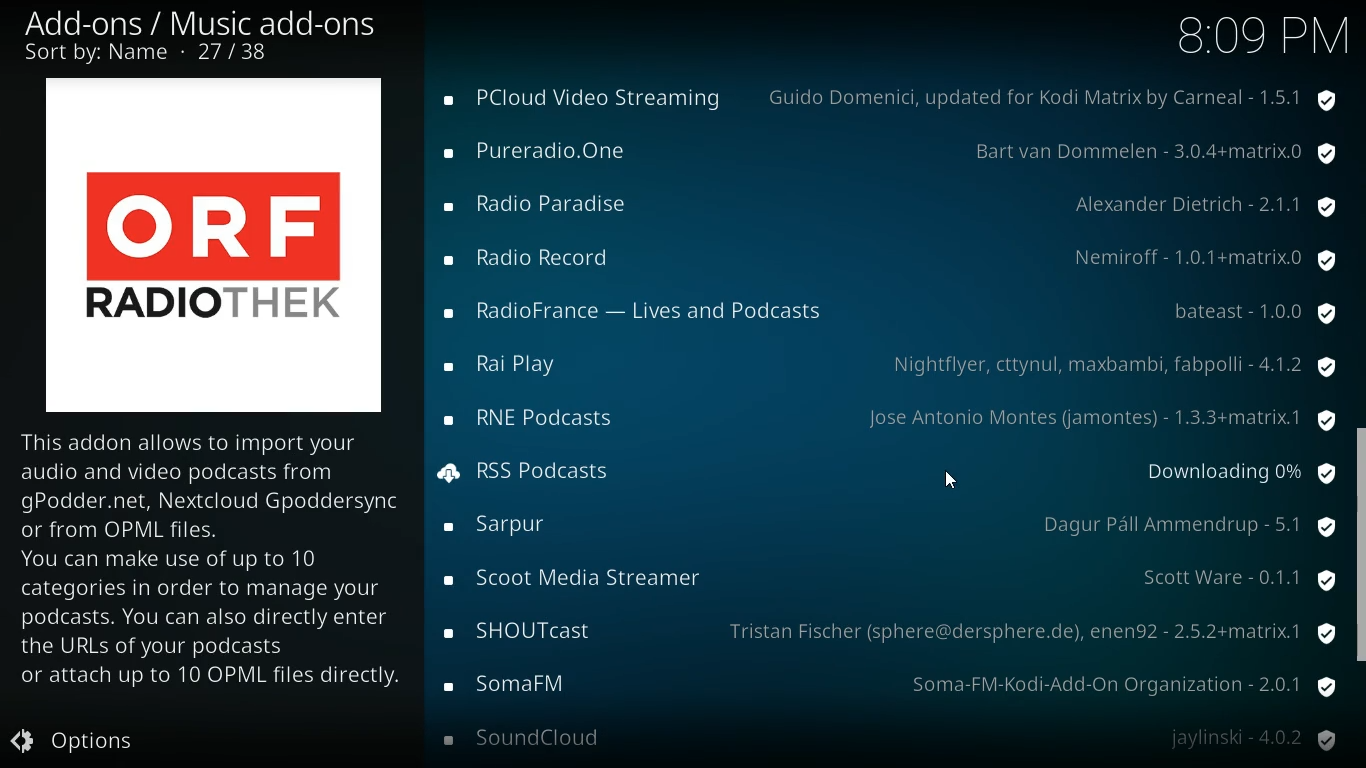 The width and height of the screenshot is (1366, 768). What do you see at coordinates (1150, 155) in the screenshot?
I see `provider` at bounding box center [1150, 155].